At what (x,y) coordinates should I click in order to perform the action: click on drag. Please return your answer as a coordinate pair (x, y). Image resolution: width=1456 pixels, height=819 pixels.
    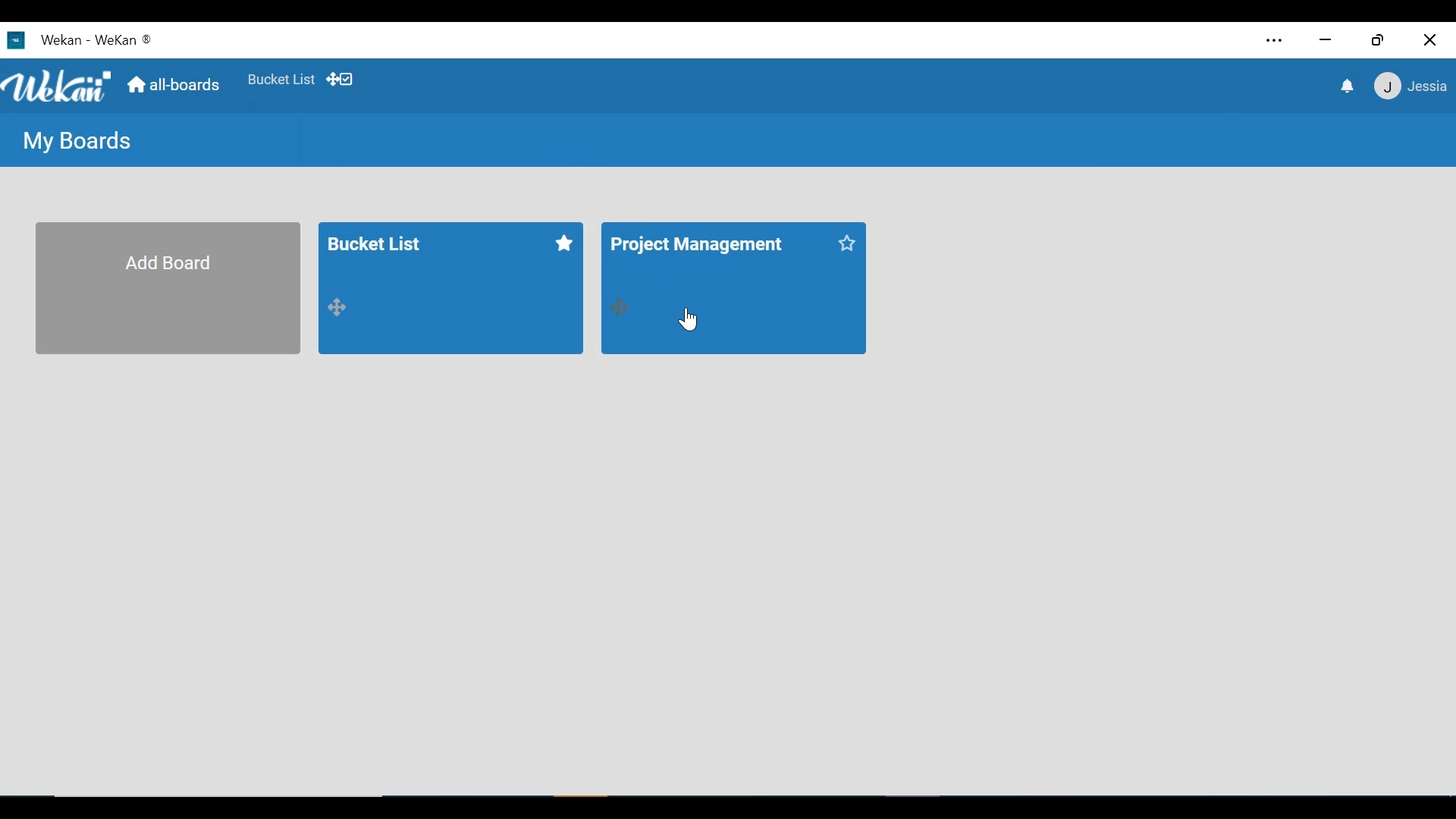
    Looking at the image, I should click on (342, 309).